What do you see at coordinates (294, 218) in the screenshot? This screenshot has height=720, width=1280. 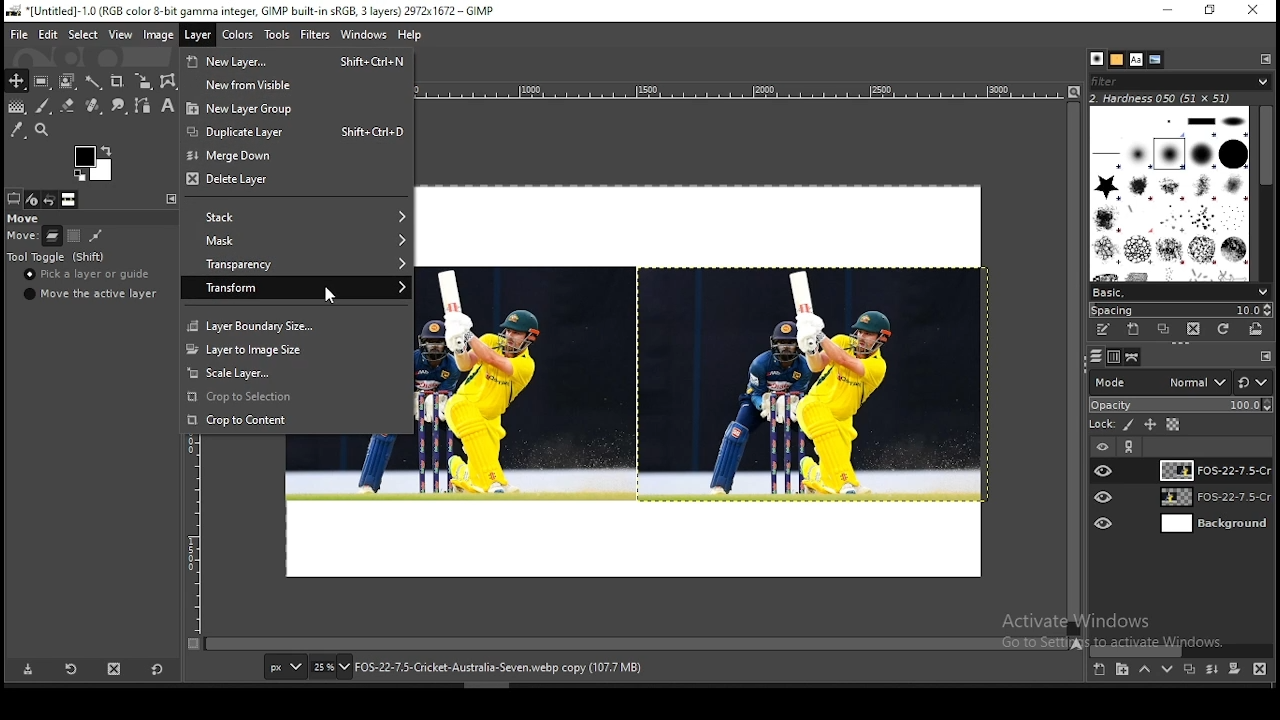 I see `stack` at bounding box center [294, 218].